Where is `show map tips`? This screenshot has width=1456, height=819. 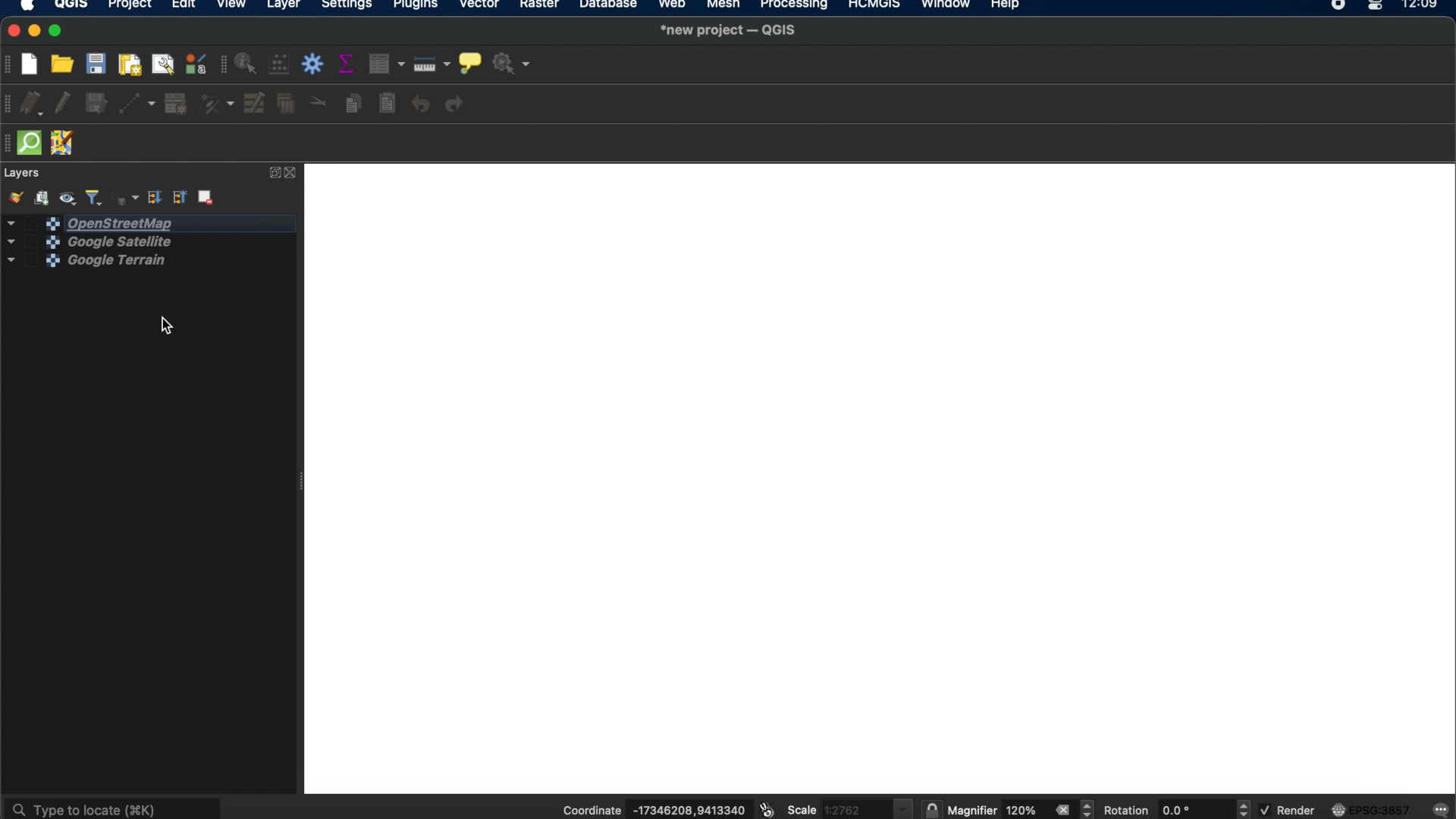
show map tips is located at coordinates (469, 61).